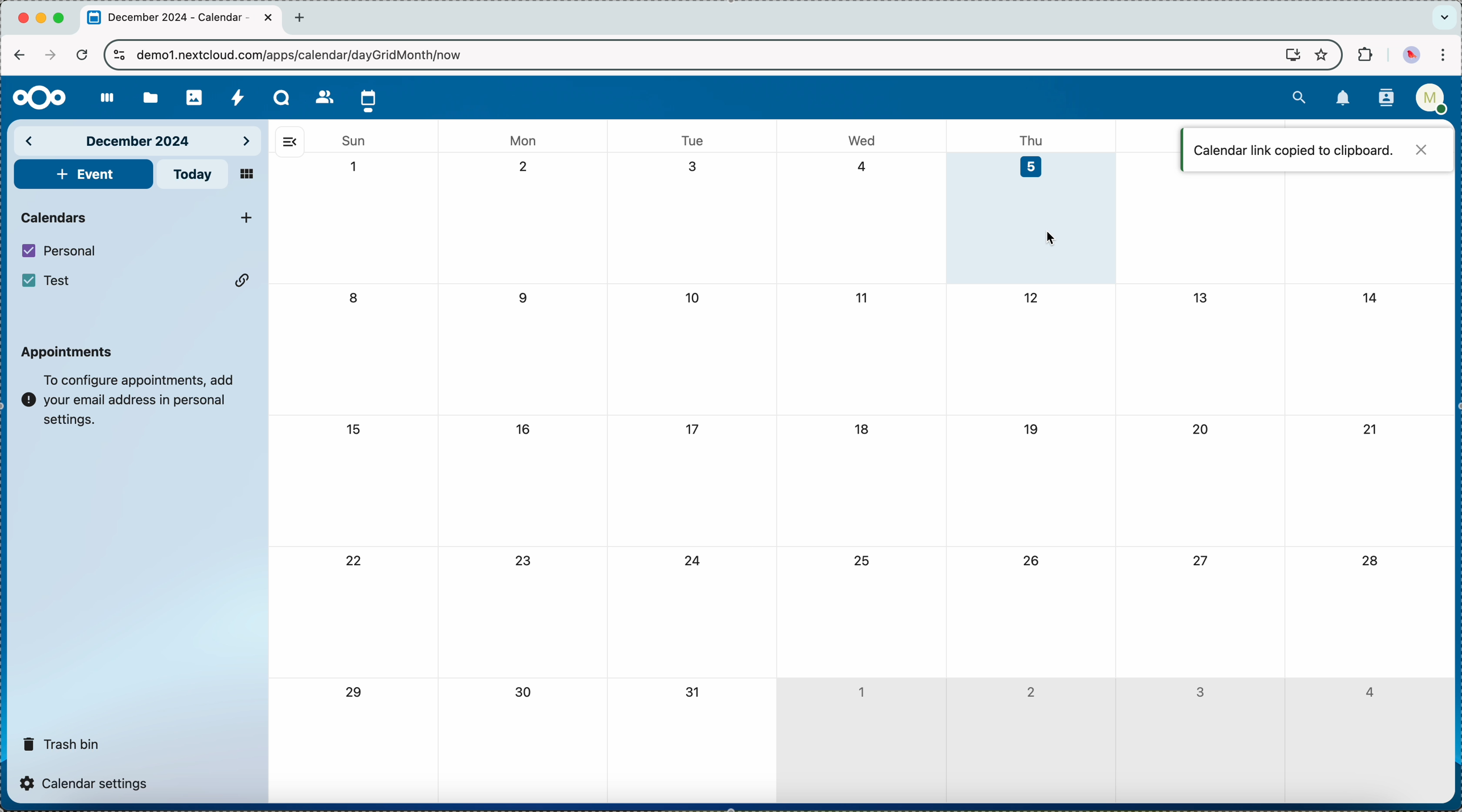 The width and height of the screenshot is (1462, 812). What do you see at coordinates (1032, 428) in the screenshot?
I see `19` at bounding box center [1032, 428].